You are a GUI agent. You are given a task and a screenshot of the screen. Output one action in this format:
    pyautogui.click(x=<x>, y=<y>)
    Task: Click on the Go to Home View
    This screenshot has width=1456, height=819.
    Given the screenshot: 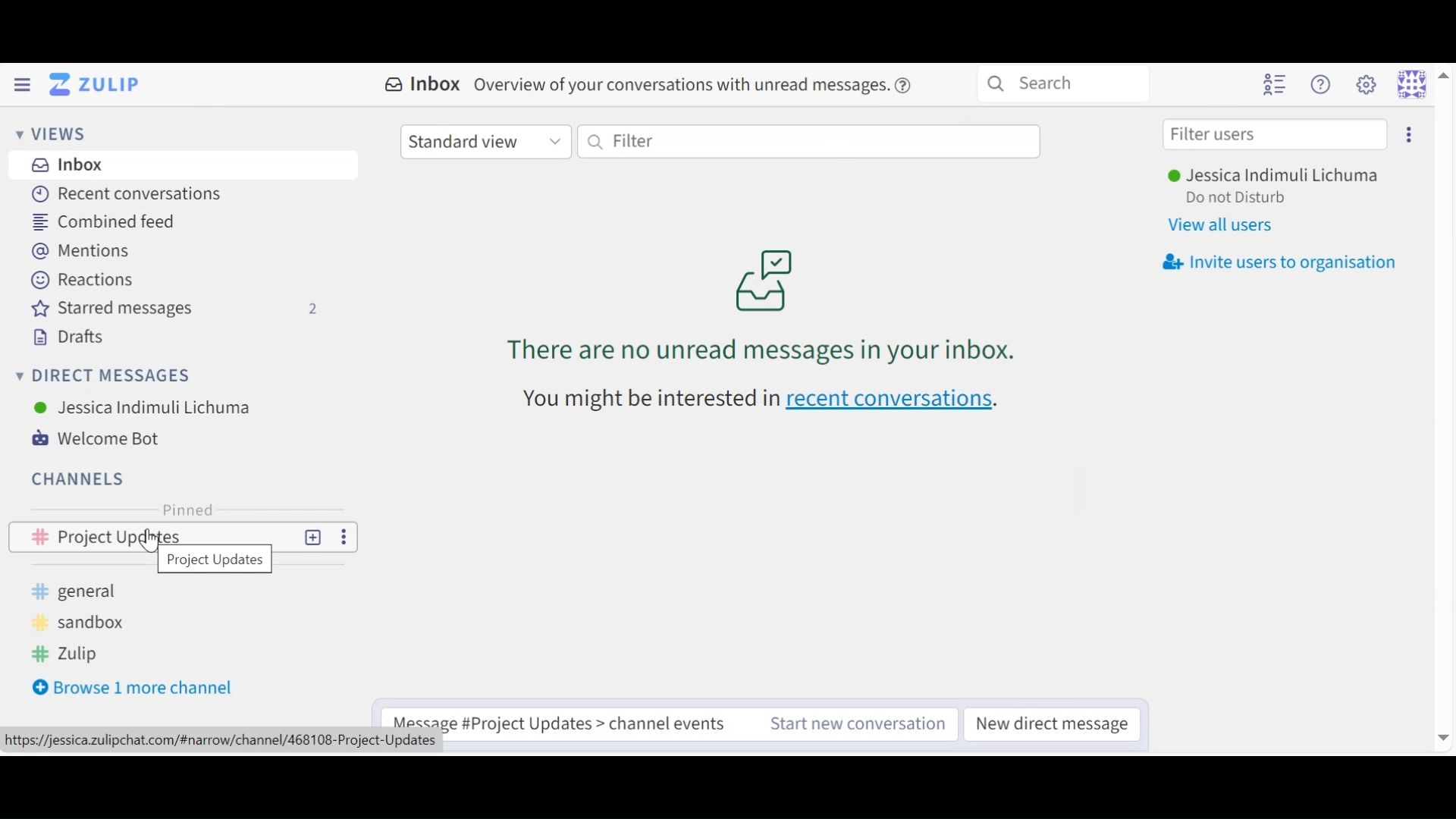 What is the action you would take?
    pyautogui.click(x=92, y=86)
    